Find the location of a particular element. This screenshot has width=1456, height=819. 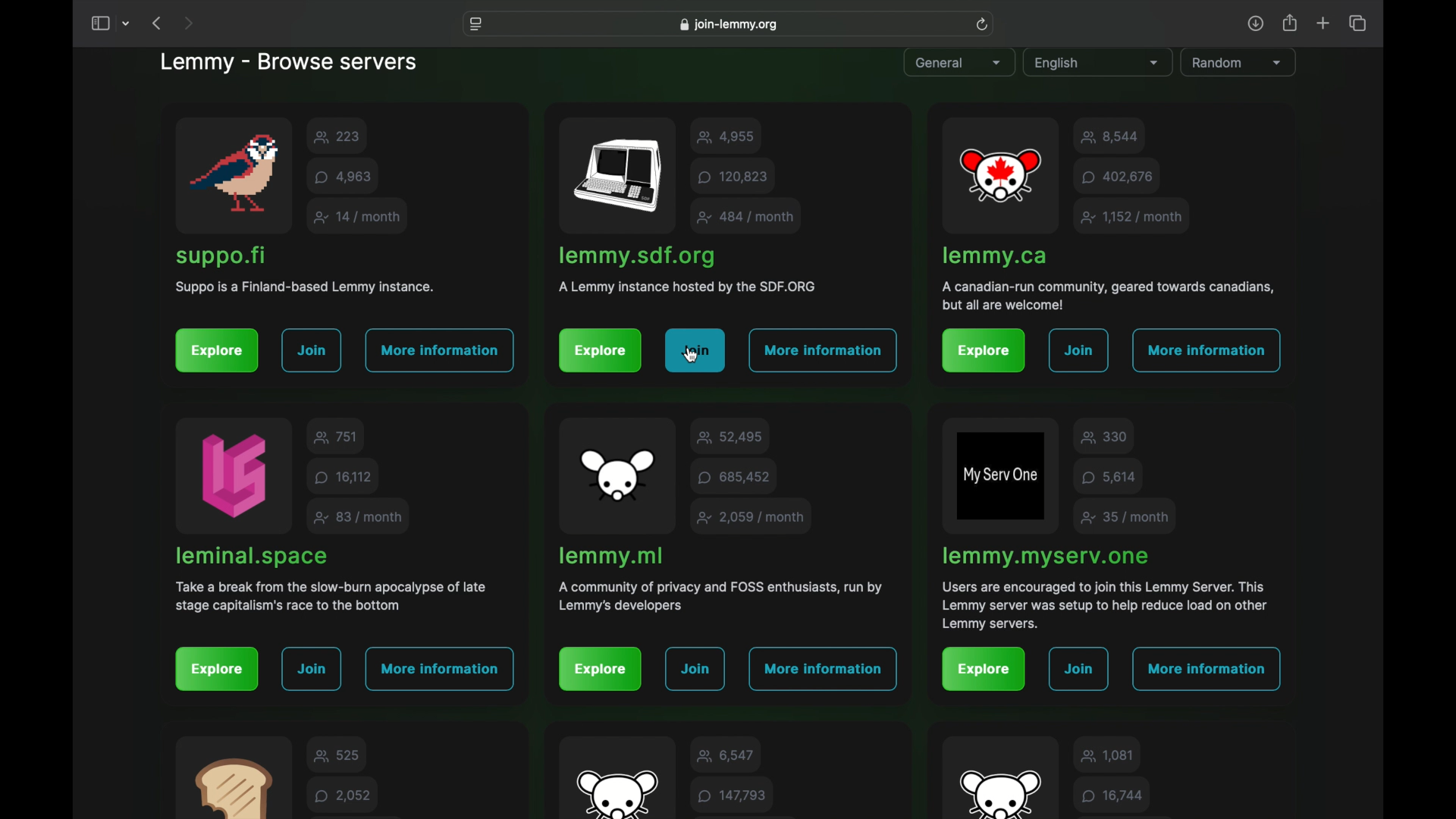

comments is located at coordinates (346, 176).